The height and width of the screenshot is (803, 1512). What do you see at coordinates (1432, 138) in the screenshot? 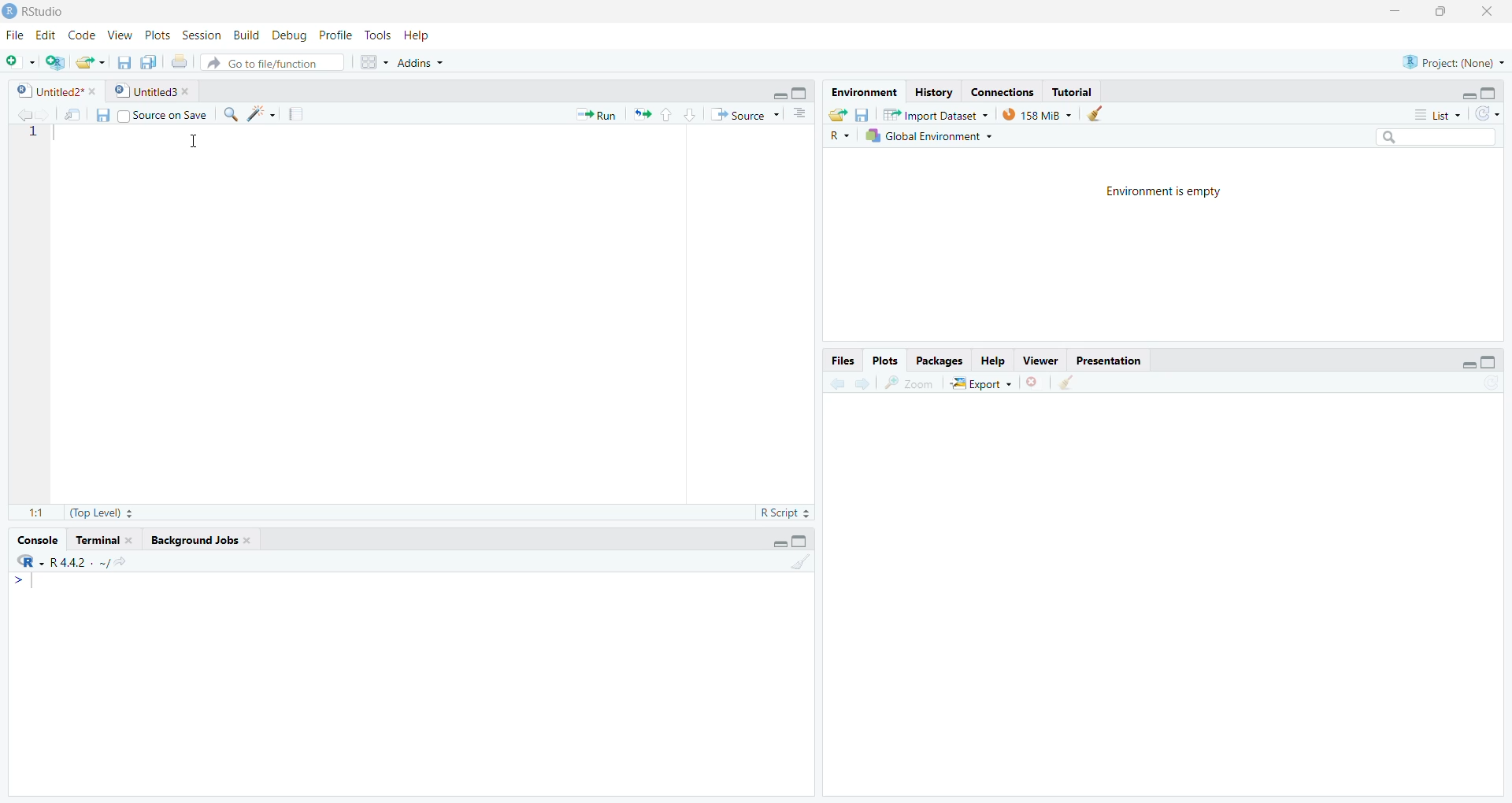
I see `search` at bounding box center [1432, 138].